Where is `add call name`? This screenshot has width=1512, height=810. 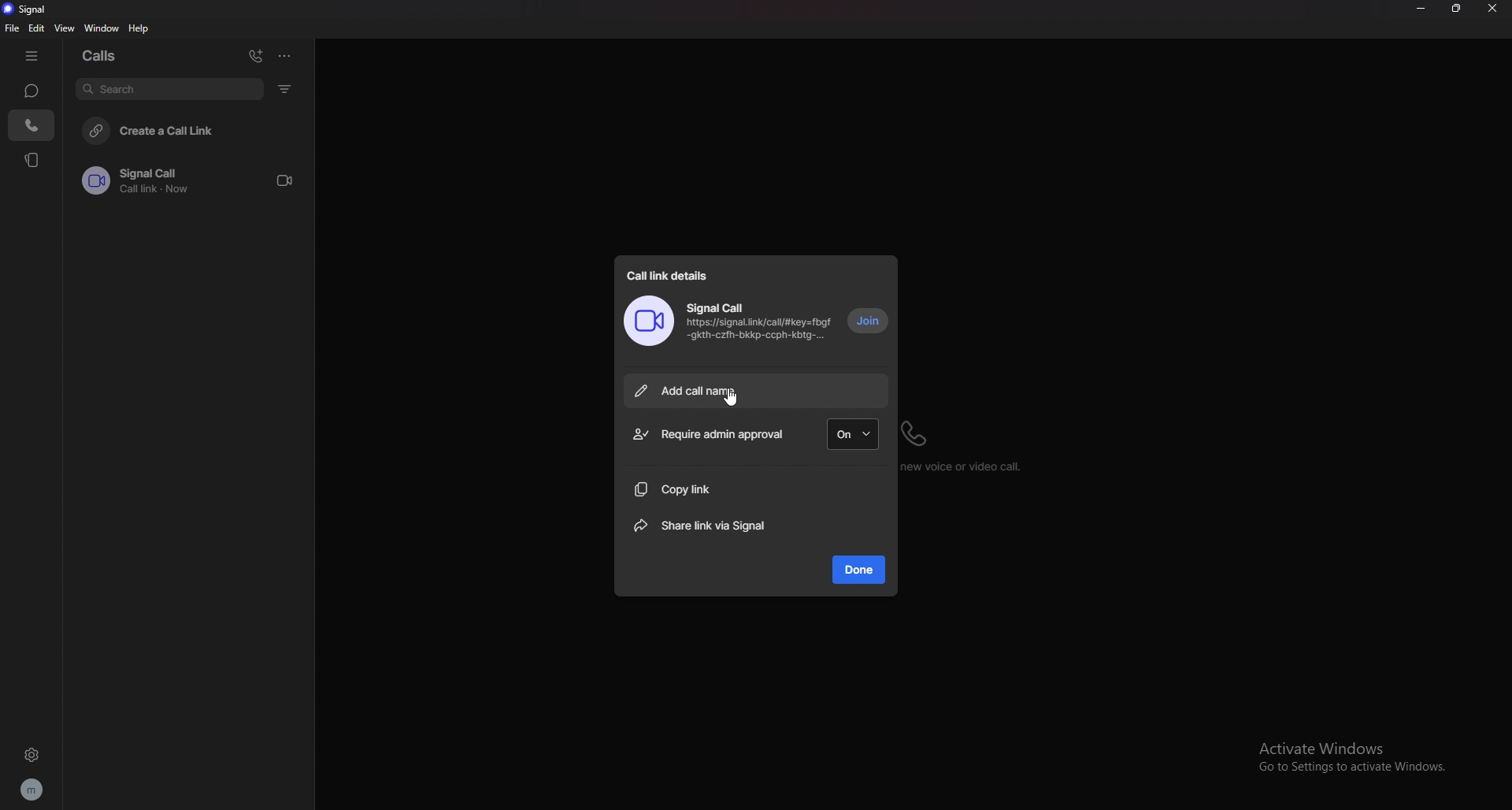
add call name is located at coordinates (756, 390).